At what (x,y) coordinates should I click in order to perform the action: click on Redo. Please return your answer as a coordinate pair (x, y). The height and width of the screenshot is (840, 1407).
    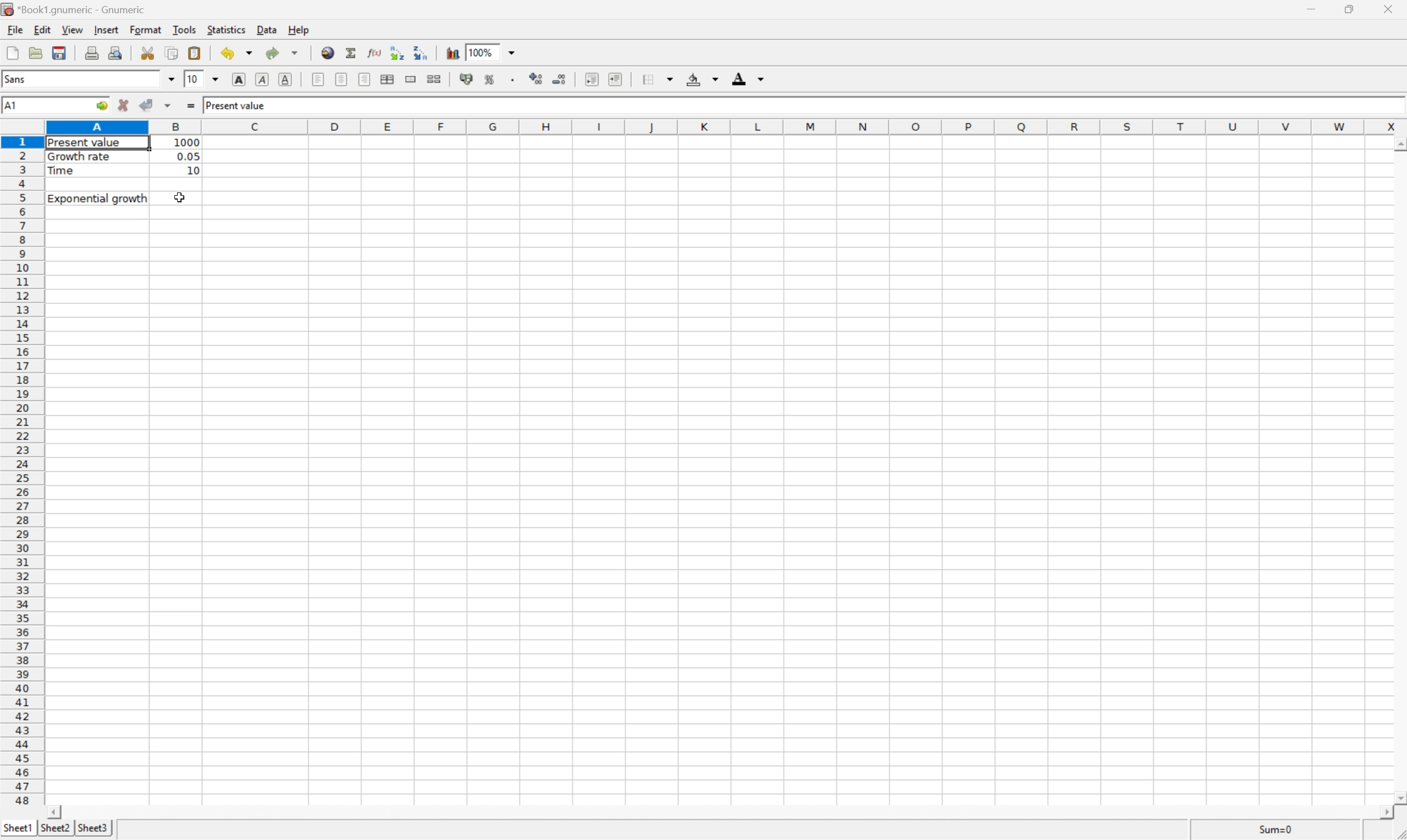
    Looking at the image, I should click on (283, 54).